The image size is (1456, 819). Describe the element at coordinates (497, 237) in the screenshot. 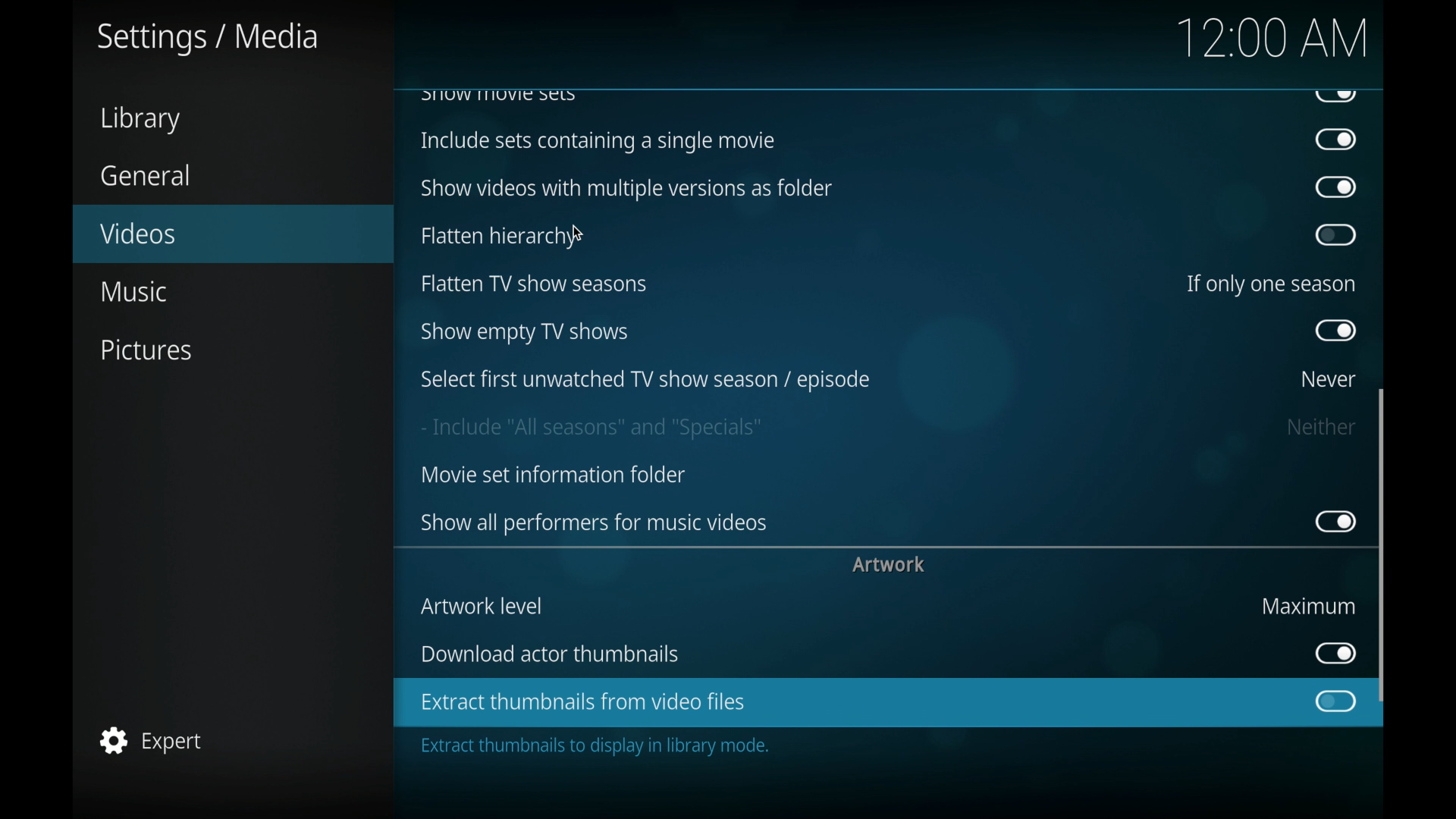

I see `flatten hierarchy` at that location.